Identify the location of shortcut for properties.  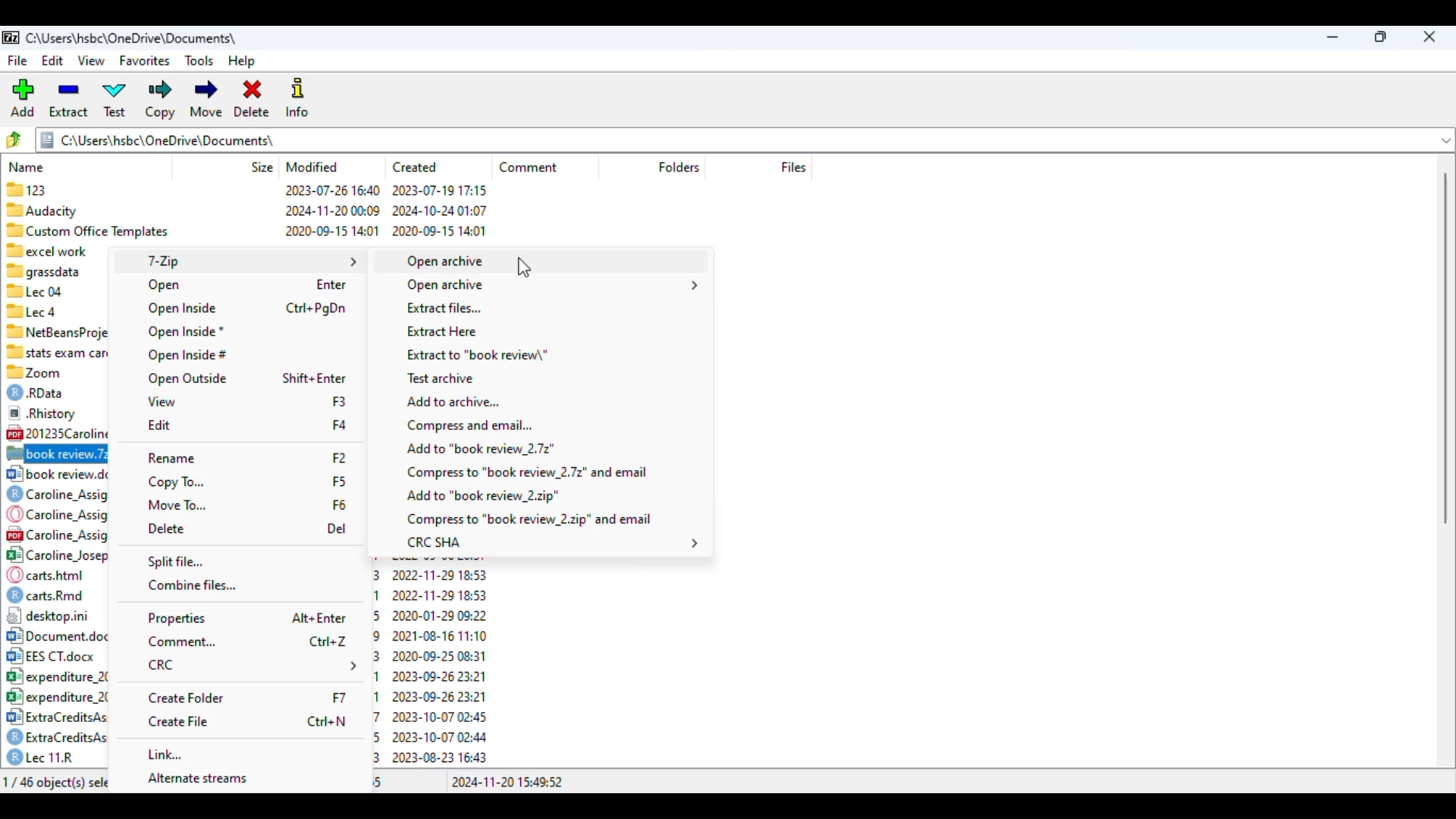
(319, 619).